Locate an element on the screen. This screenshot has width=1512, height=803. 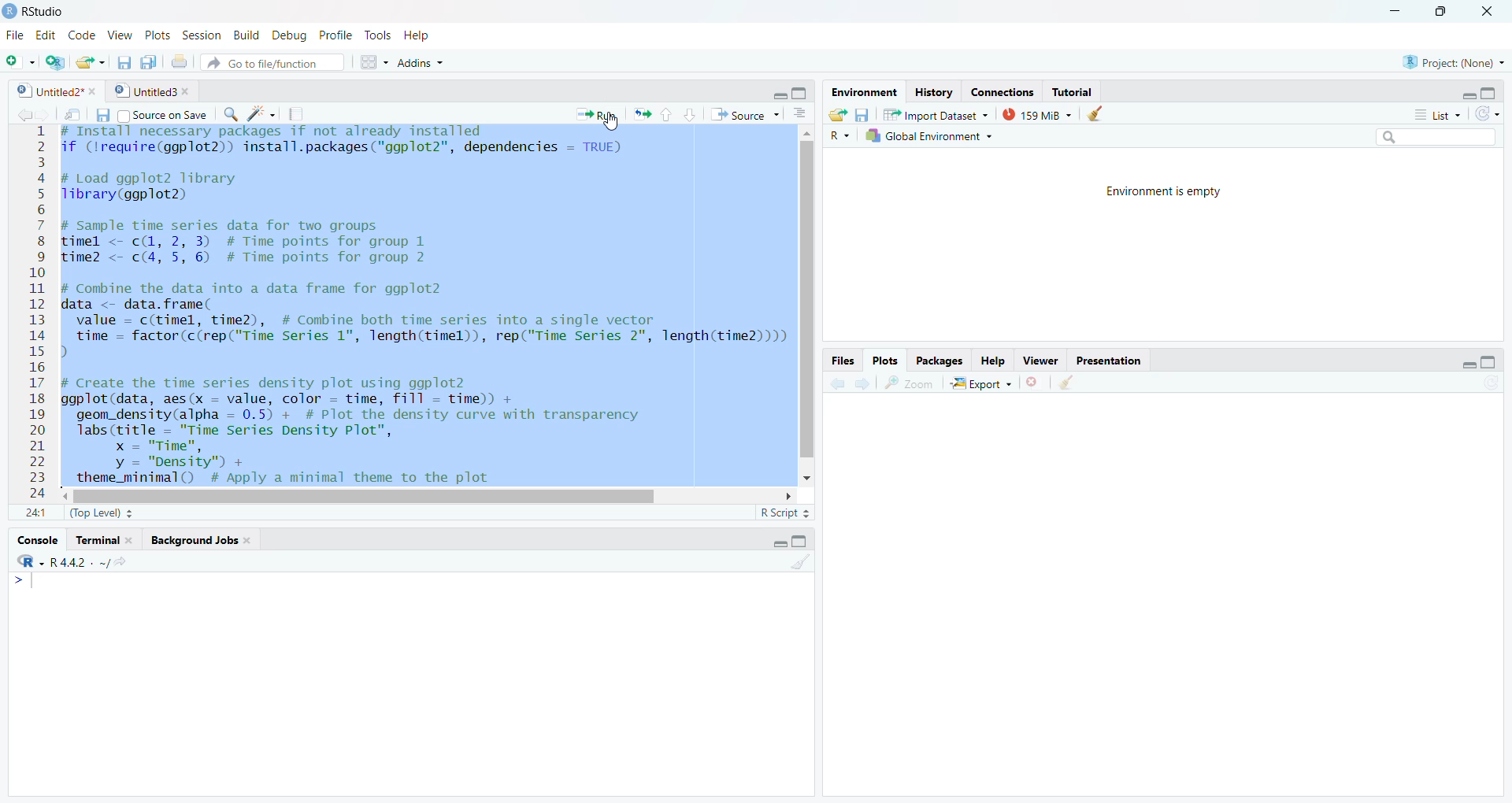
Connections is located at coordinates (1002, 91).